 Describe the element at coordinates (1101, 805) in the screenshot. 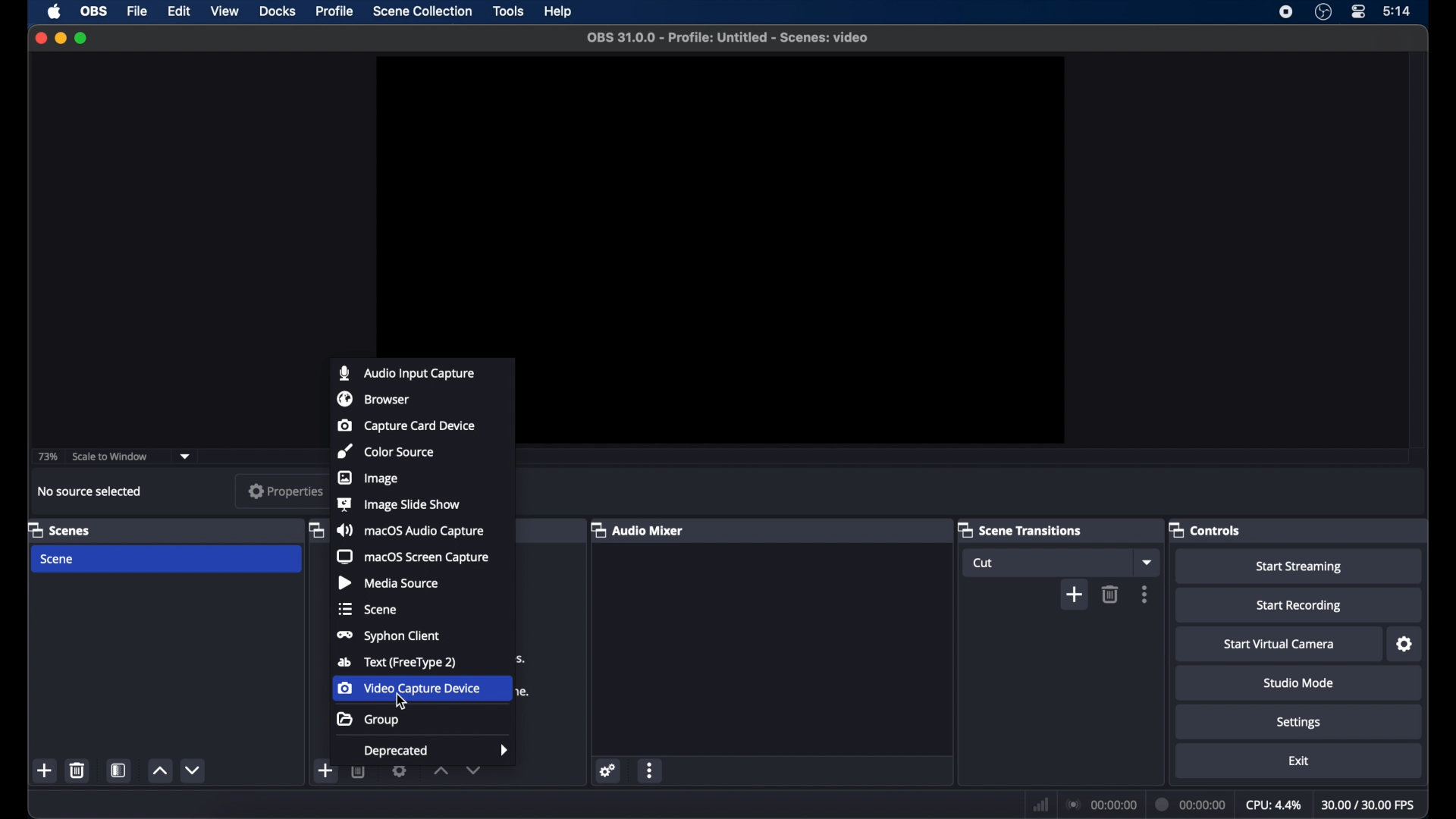

I see `connection` at that location.